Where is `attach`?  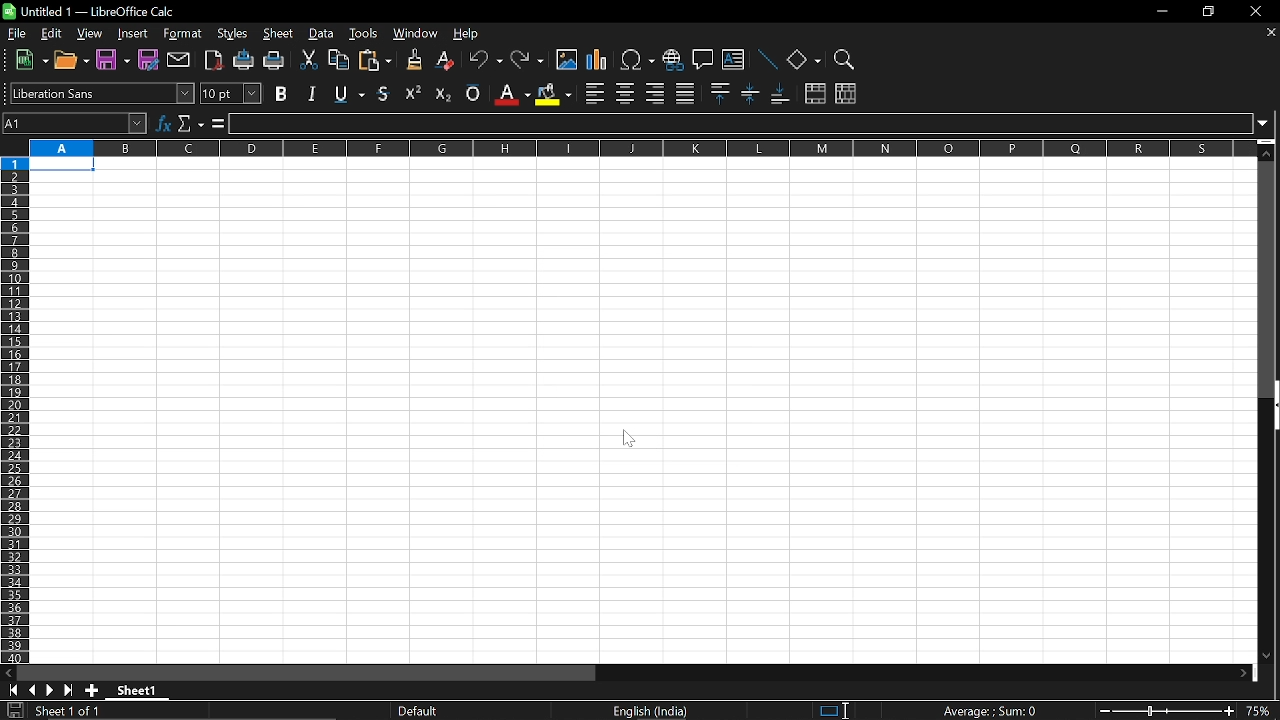 attach is located at coordinates (180, 61).